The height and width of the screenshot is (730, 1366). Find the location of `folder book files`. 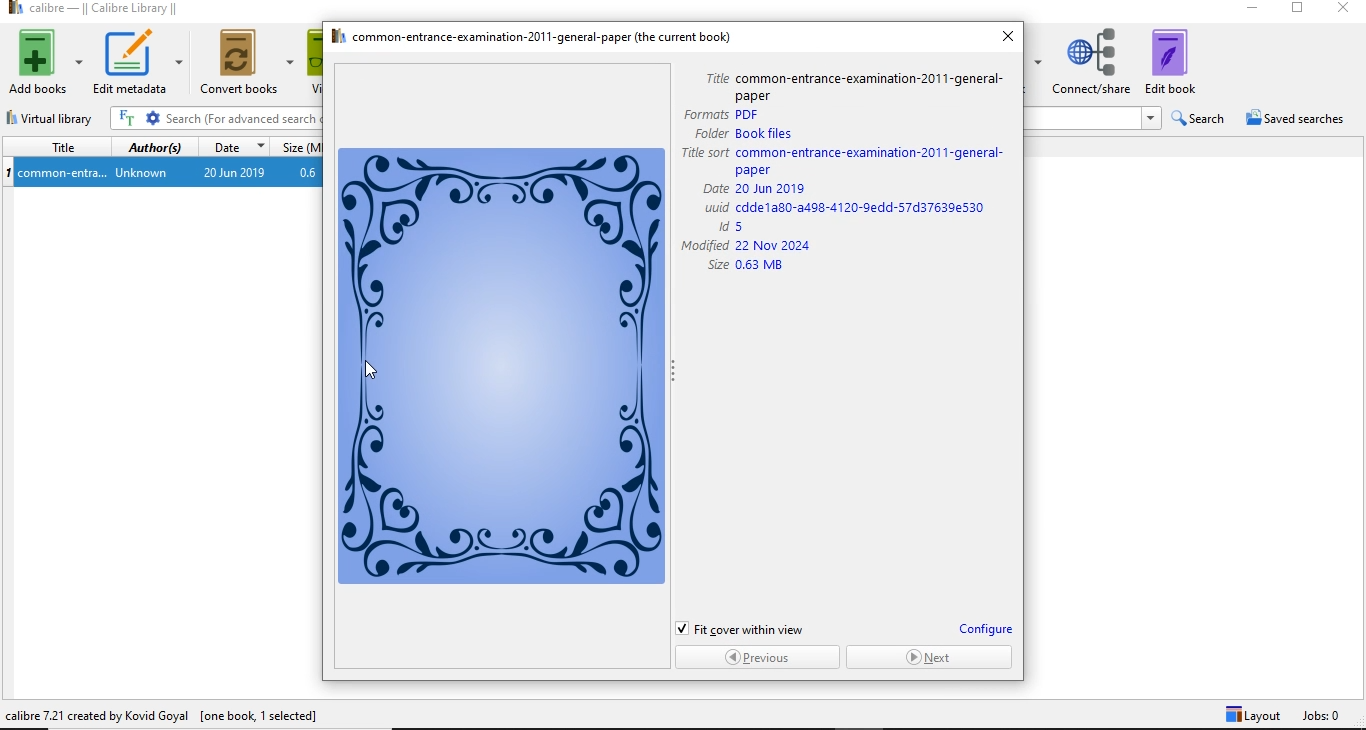

folder book files is located at coordinates (748, 133).